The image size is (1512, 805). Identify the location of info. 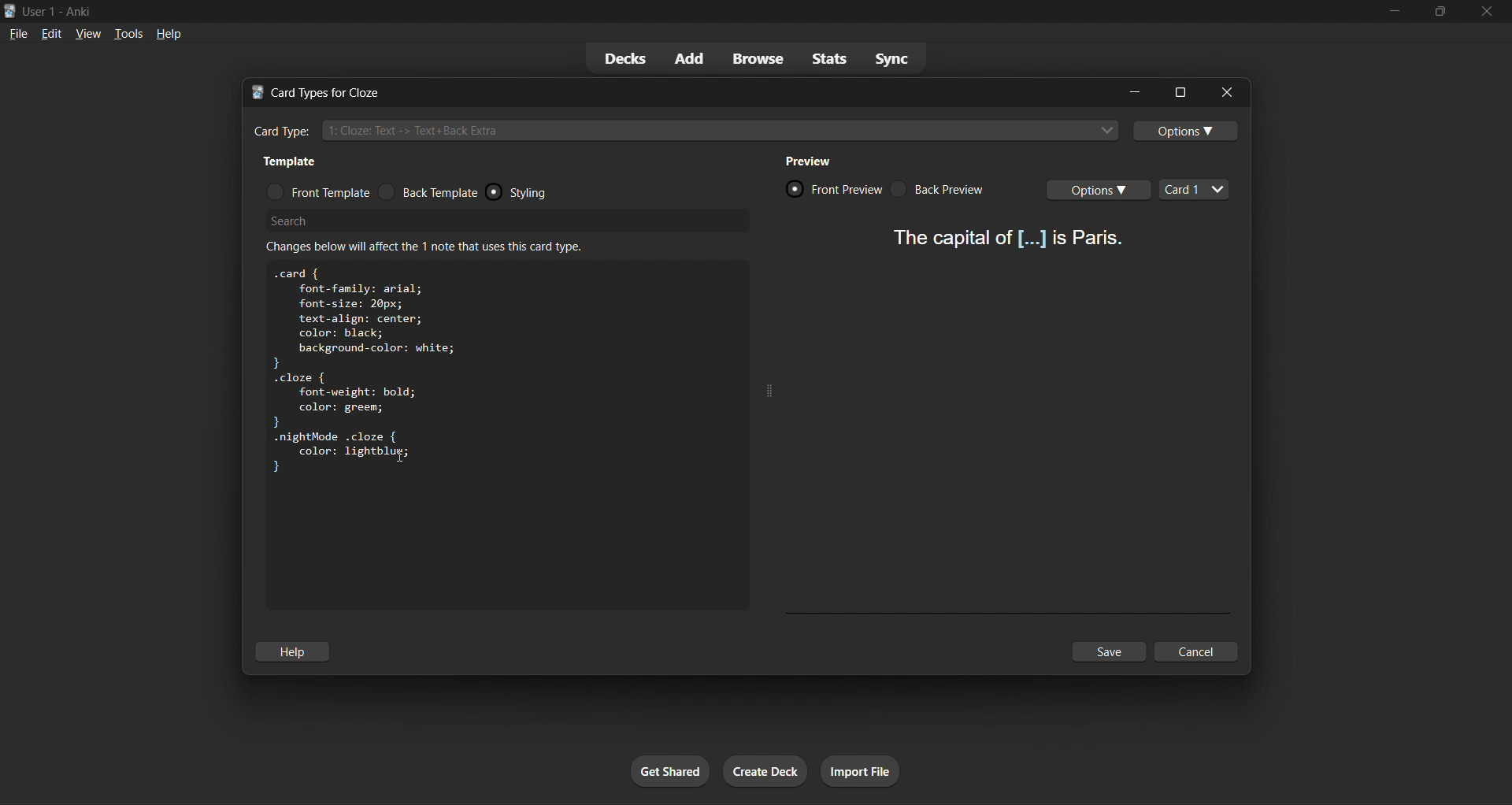
(435, 250).